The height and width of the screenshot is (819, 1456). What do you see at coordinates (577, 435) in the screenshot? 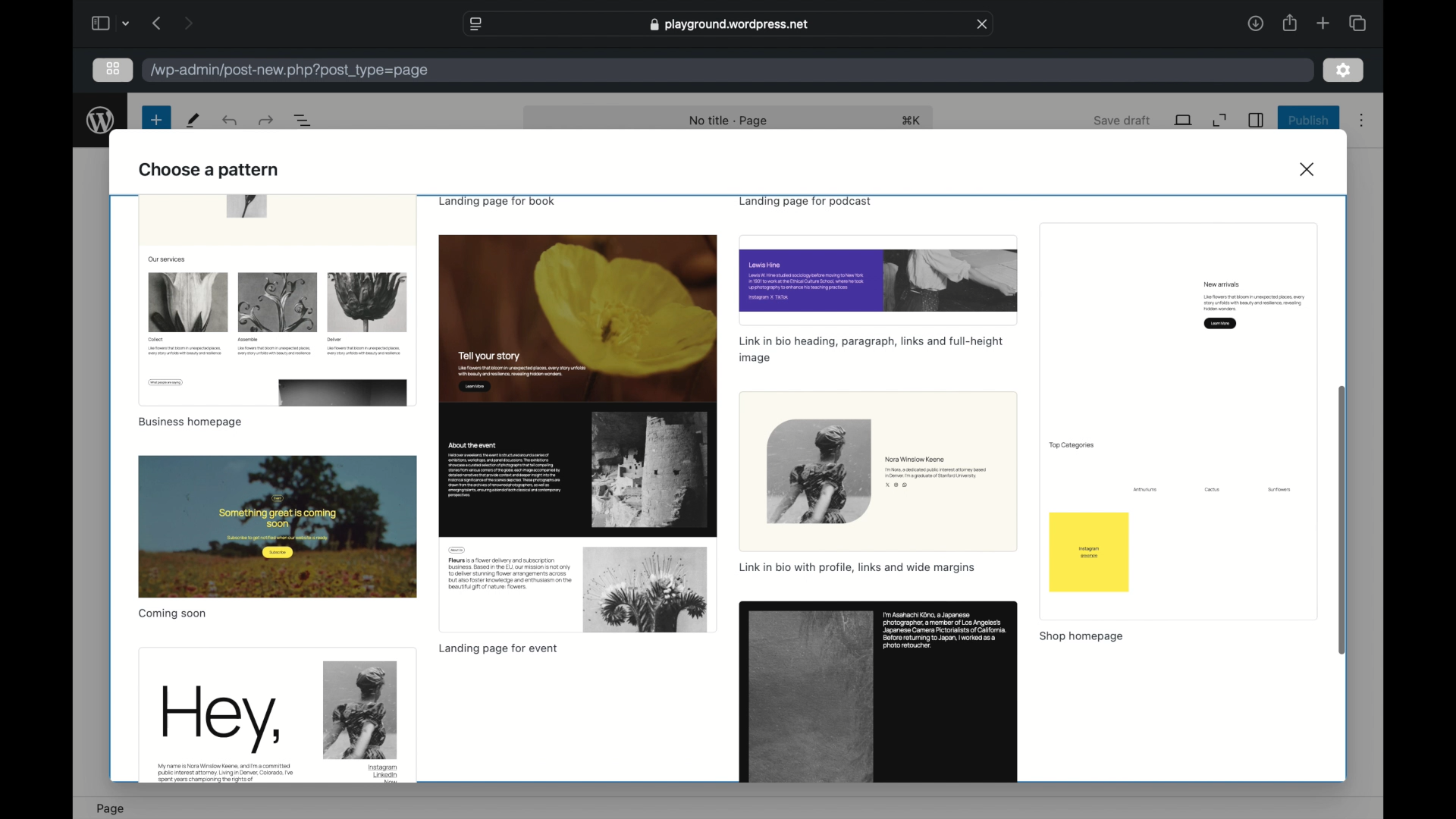
I see `preview` at bounding box center [577, 435].